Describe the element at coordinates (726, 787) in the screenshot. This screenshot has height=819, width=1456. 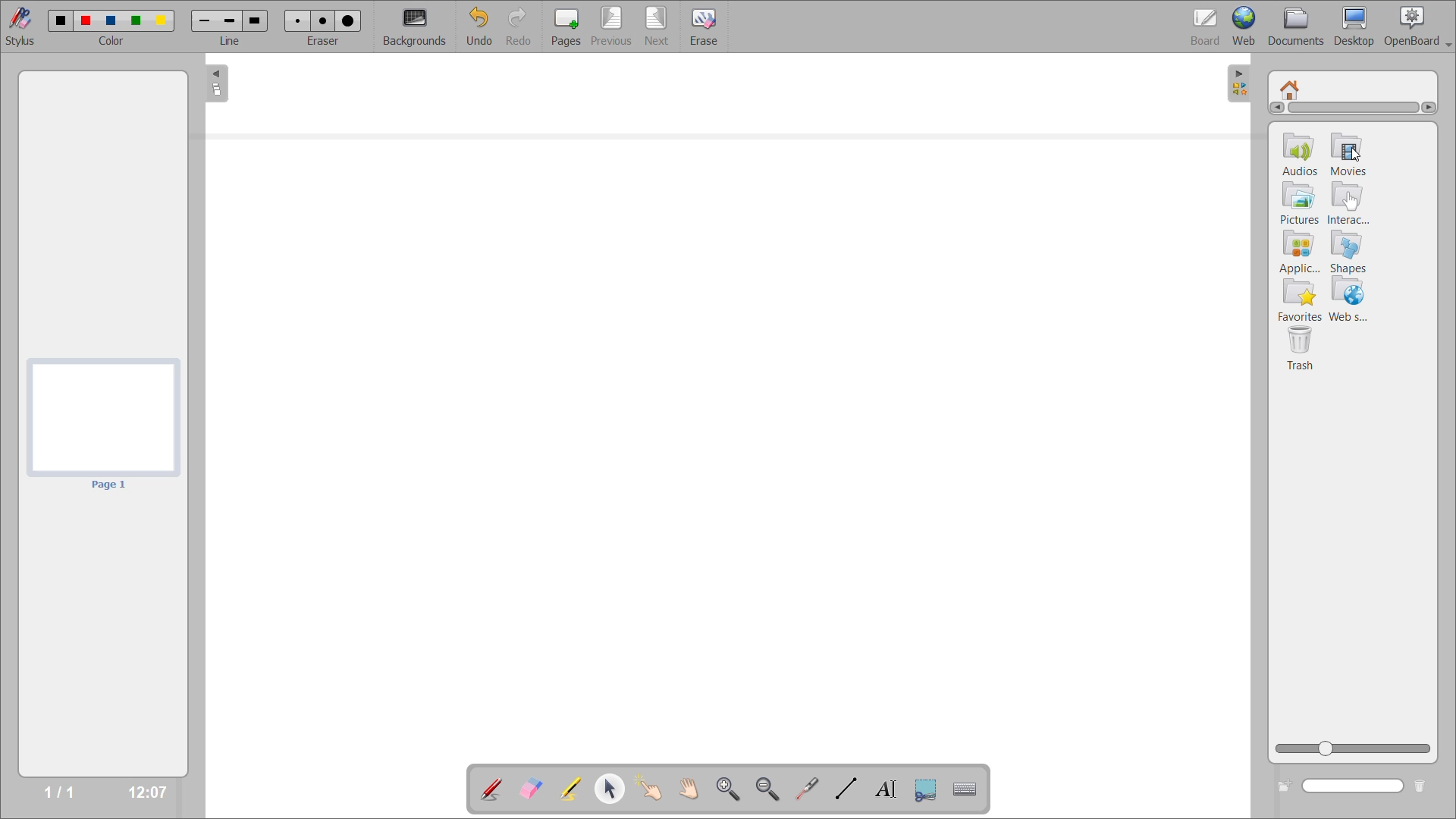
I see `zoom in` at that location.